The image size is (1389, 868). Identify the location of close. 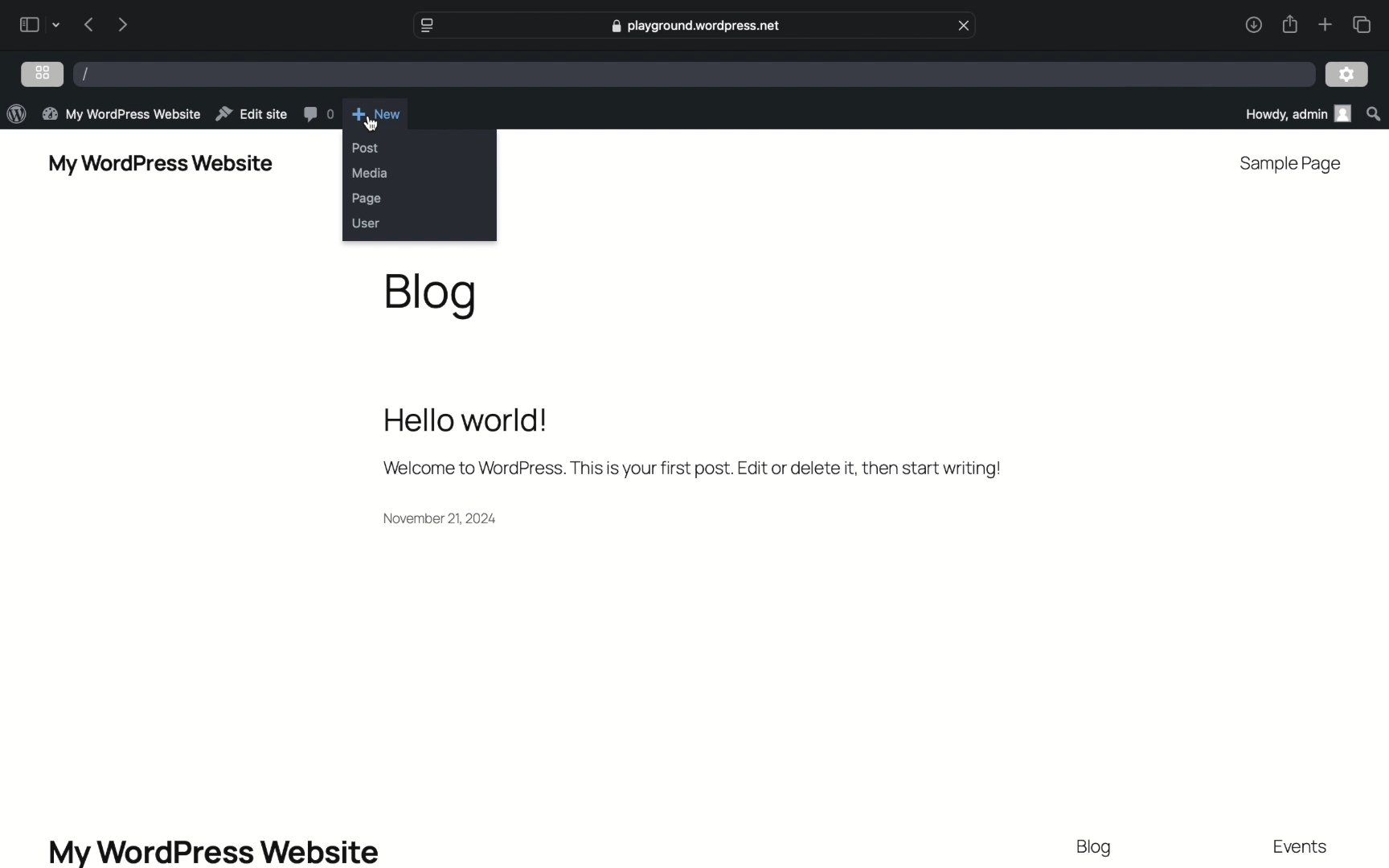
(965, 24).